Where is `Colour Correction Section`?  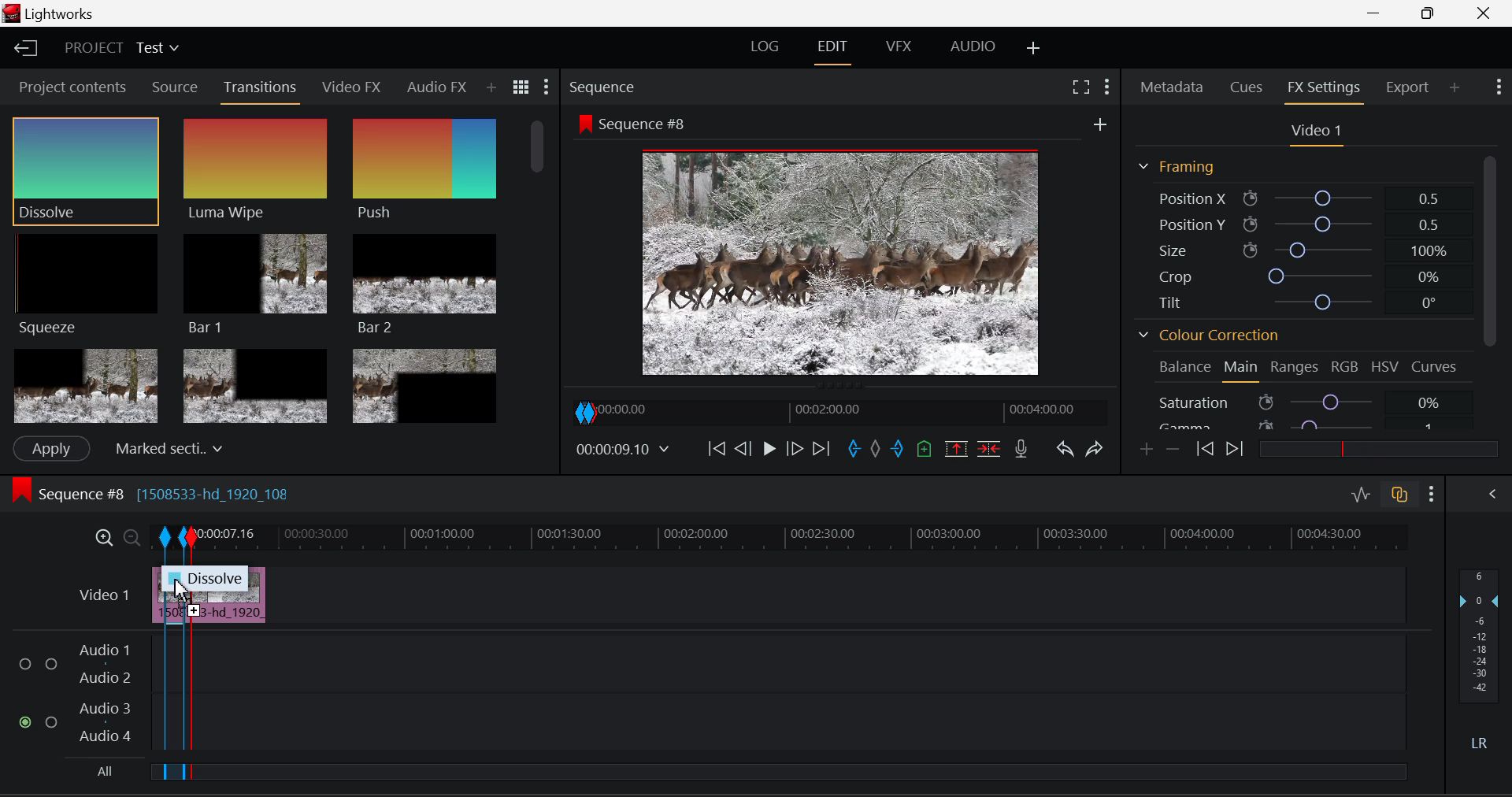 Colour Correction Section is located at coordinates (1210, 336).